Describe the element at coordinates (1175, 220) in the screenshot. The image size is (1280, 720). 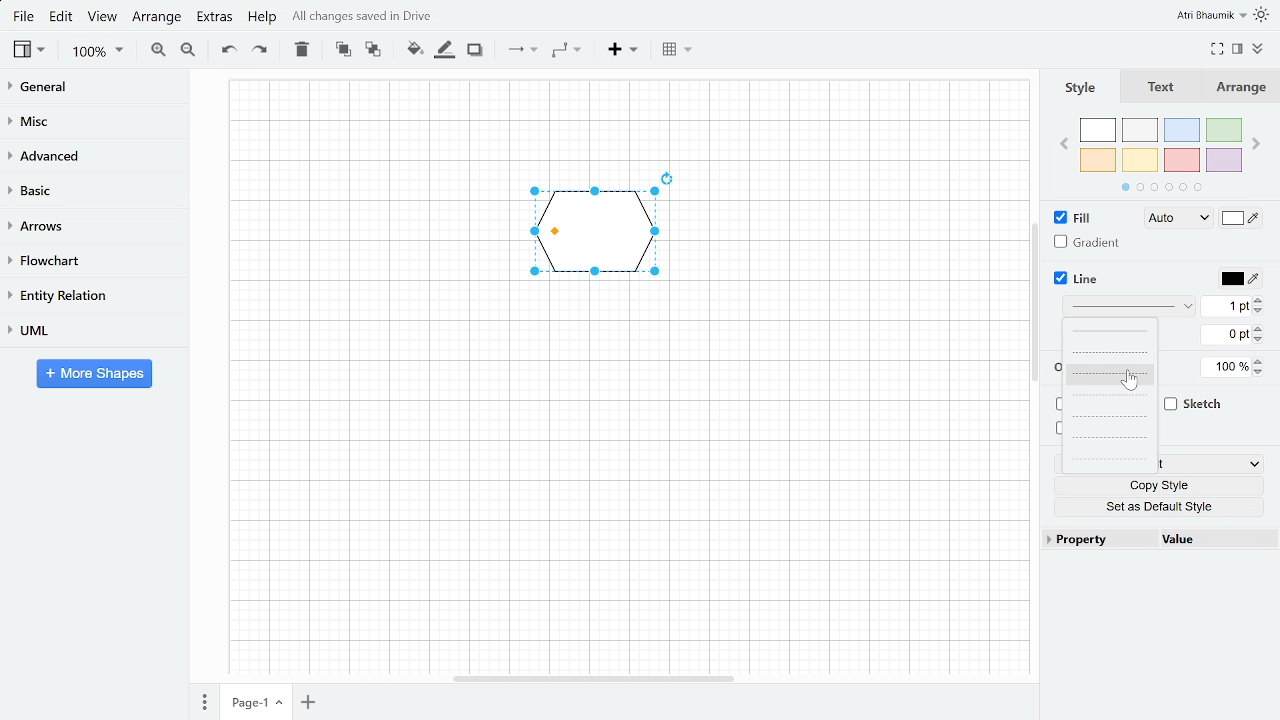
I see `Auto Fill style` at that location.